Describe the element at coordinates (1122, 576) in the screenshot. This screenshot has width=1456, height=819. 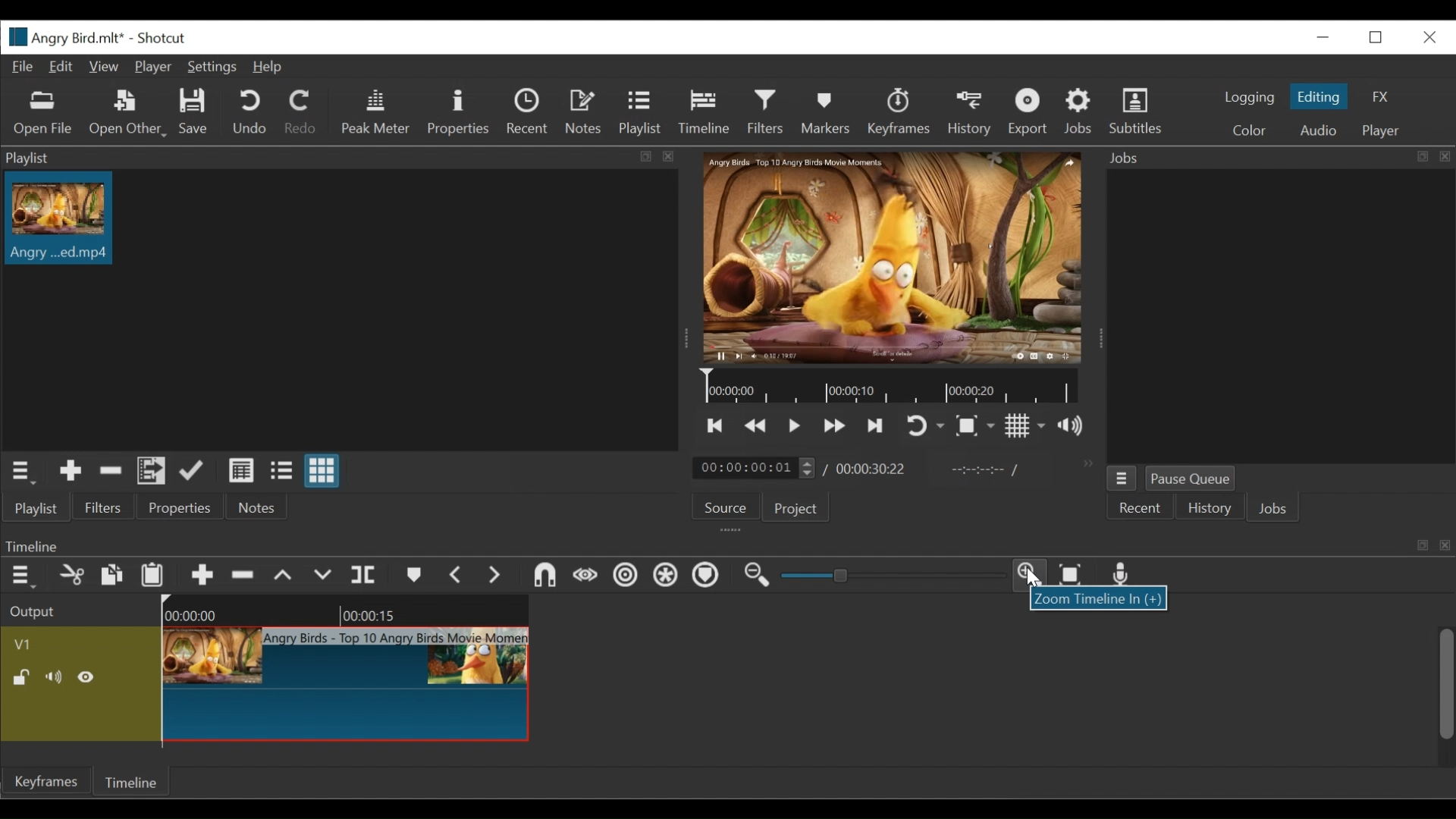
I see `Record audio` at that location.